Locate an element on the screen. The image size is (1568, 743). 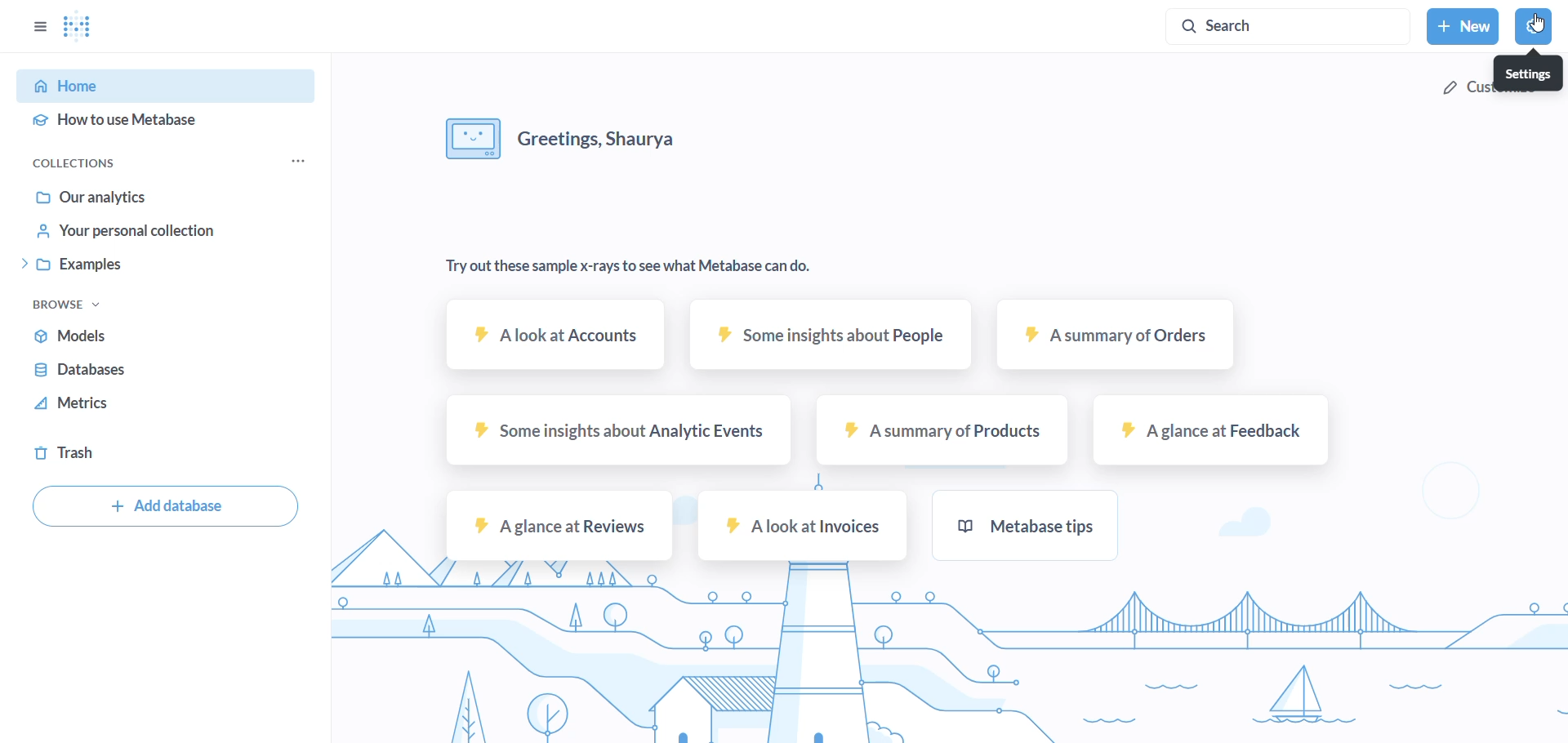
A summary of Orders sample is located at coordinates (1102, 337).